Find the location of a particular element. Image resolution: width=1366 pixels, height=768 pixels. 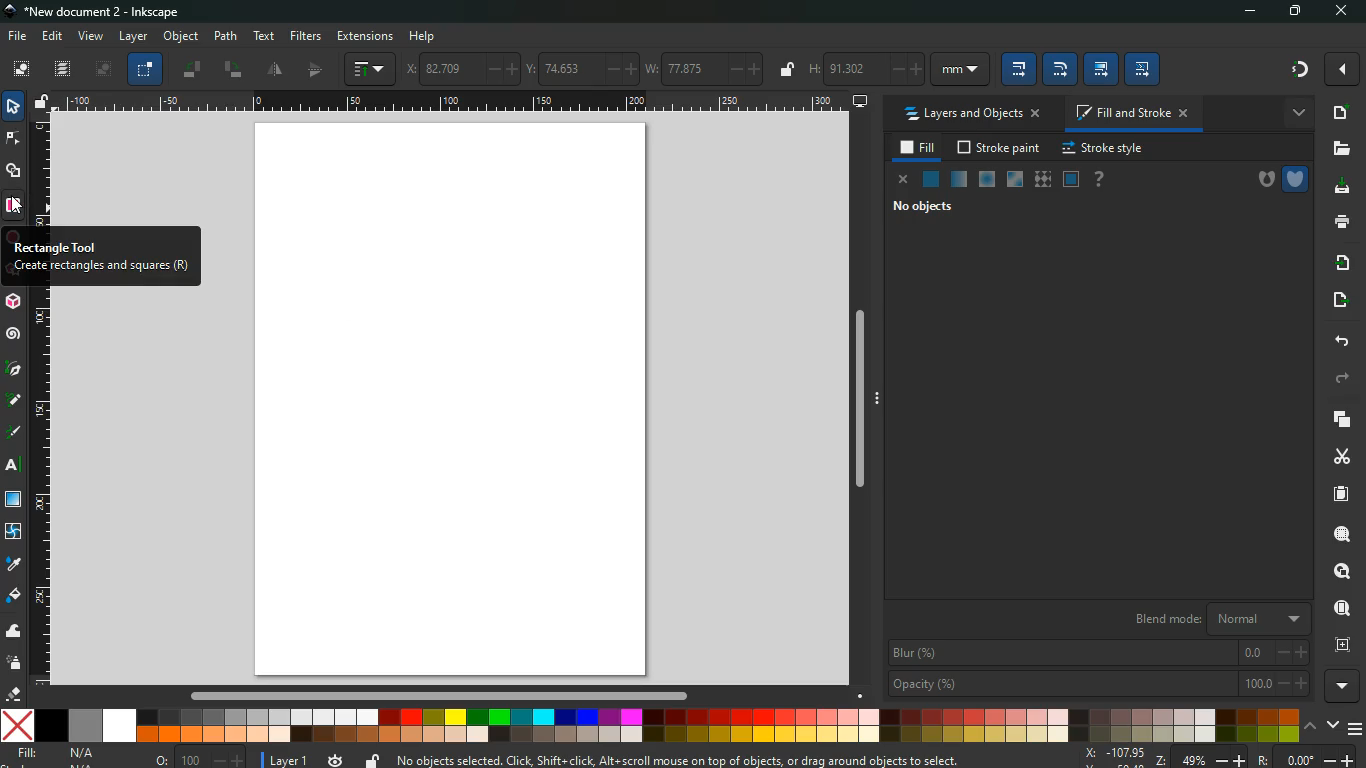

desktop is located at coordinates (853, 102).